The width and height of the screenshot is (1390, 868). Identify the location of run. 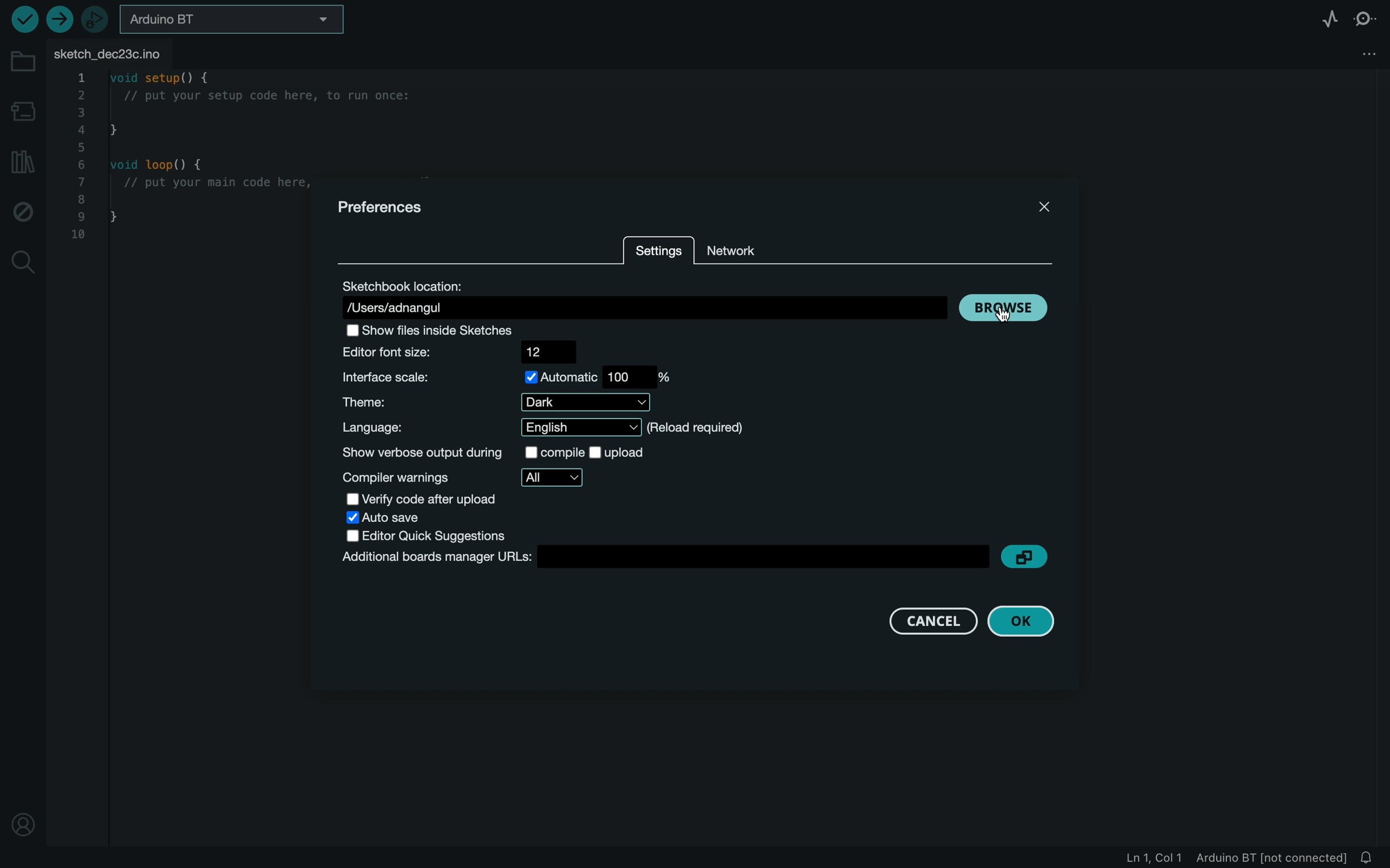
(25, 20).